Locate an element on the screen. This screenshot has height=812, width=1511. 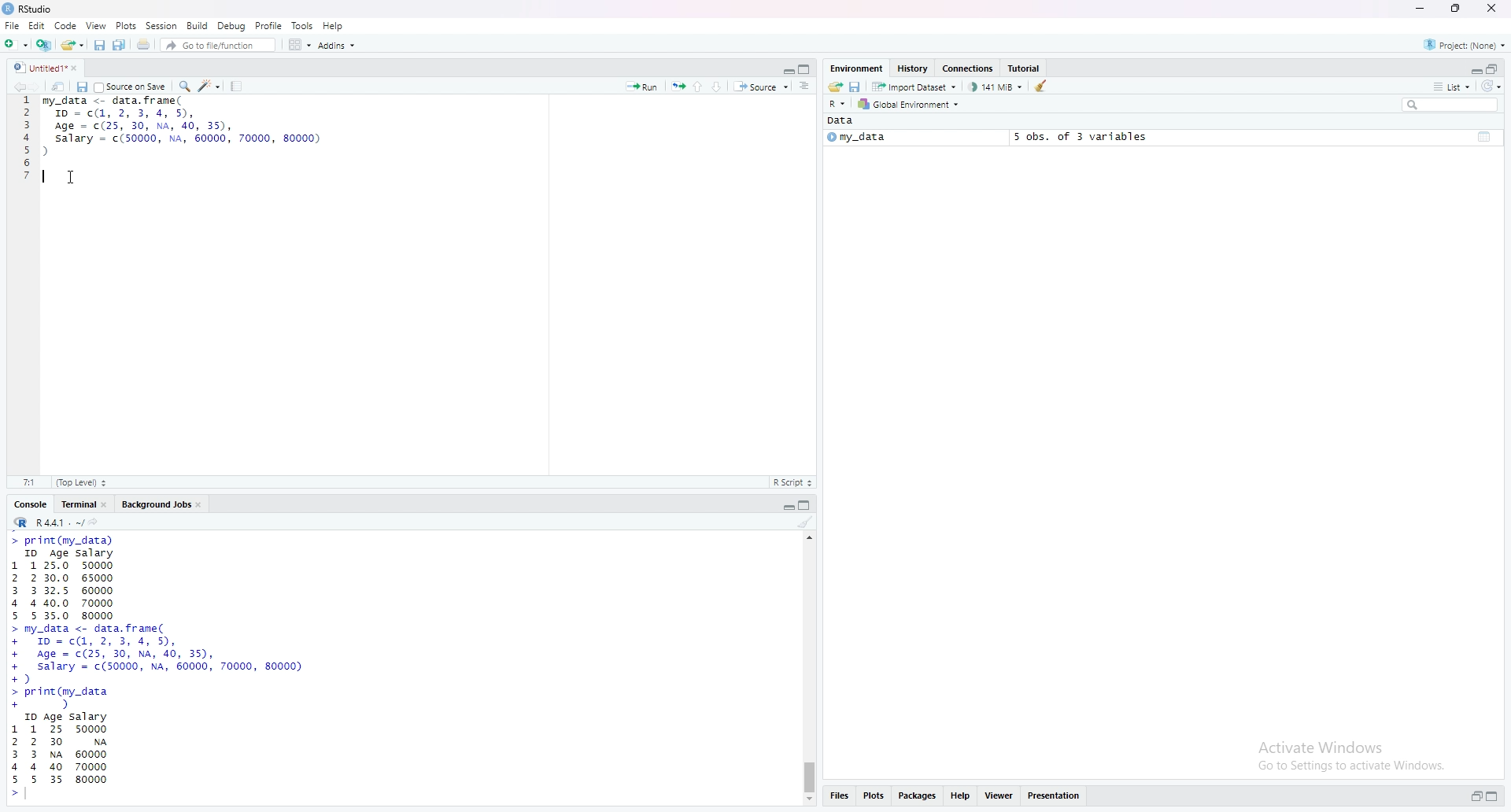
R is located at coordinates (837, 105).